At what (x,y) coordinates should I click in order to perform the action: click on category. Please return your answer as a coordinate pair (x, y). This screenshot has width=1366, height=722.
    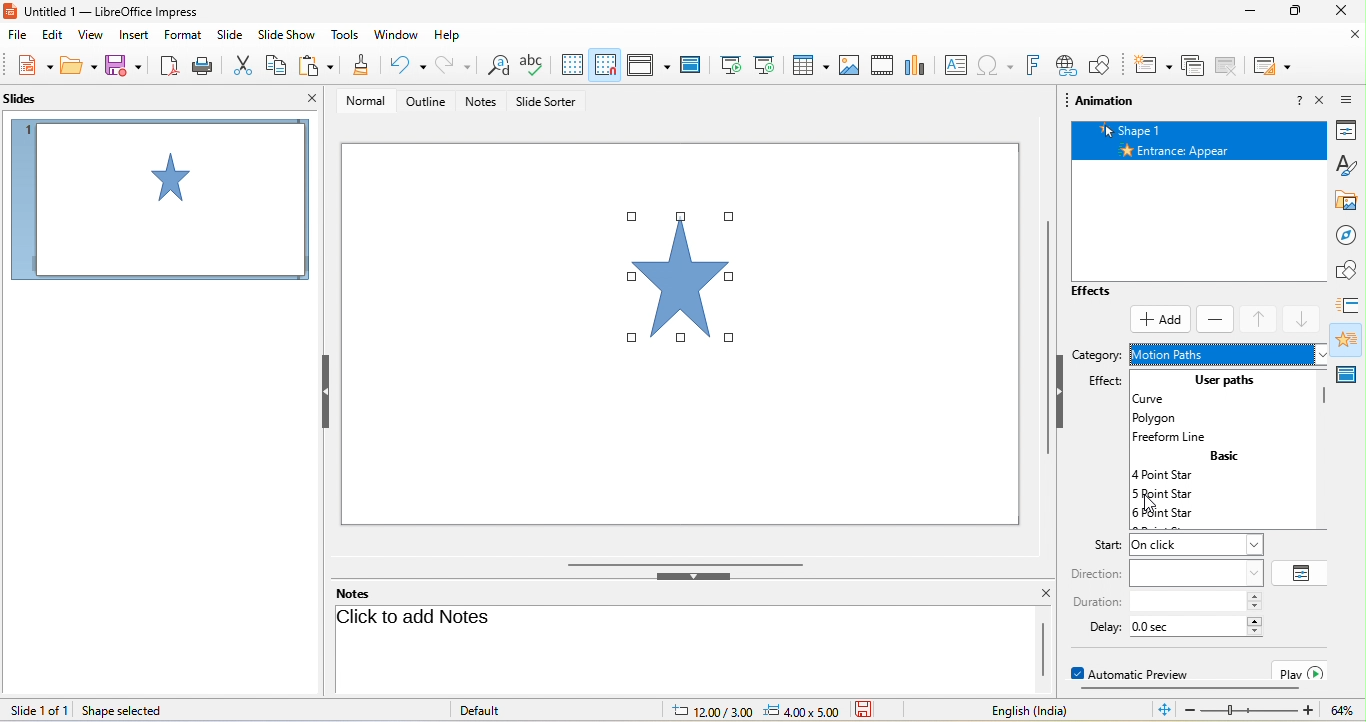
    Looking at the image, I should click on (1097, 357).